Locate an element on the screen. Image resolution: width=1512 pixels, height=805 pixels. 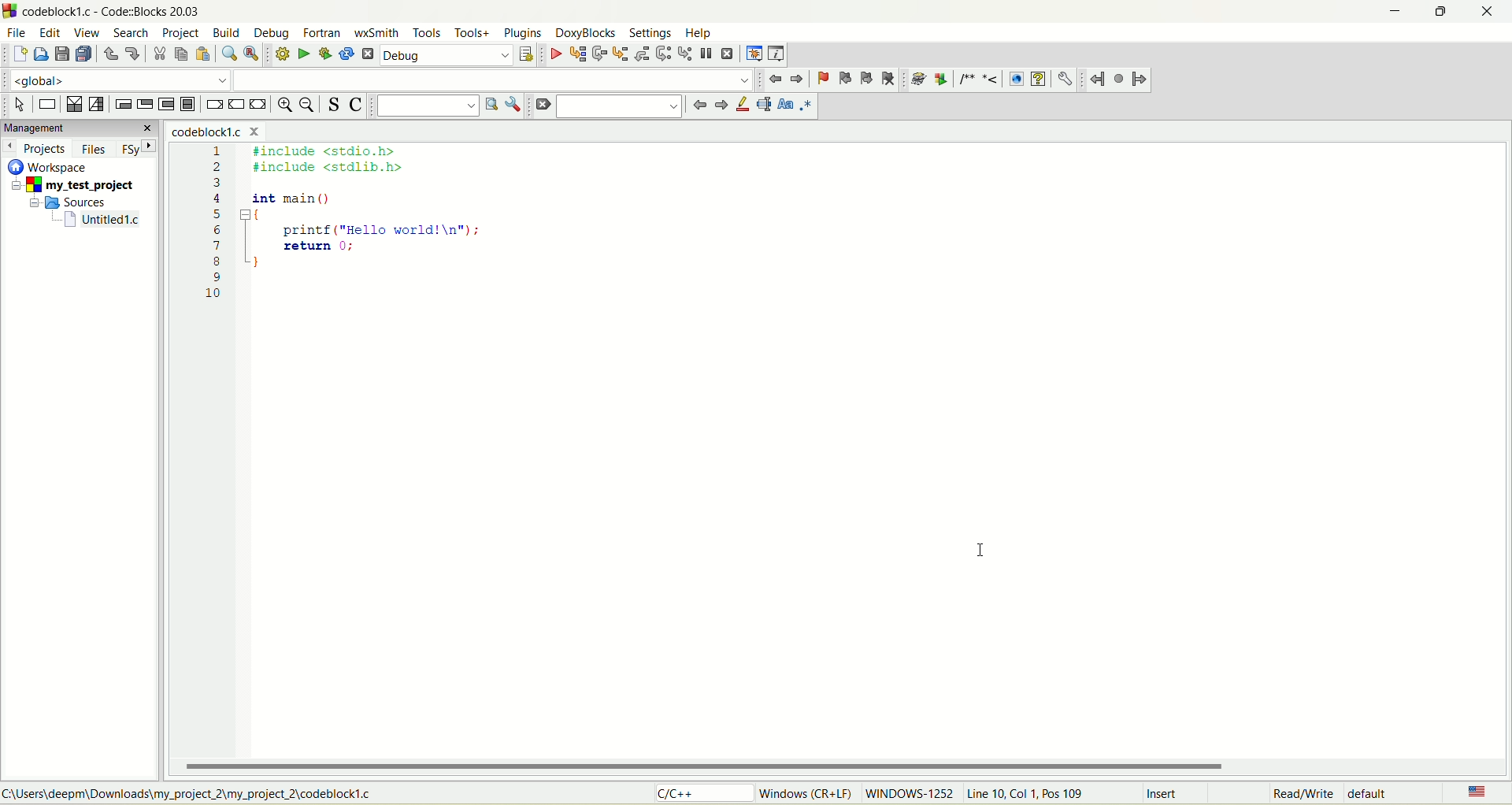
project is located at coordinates (180, 34).